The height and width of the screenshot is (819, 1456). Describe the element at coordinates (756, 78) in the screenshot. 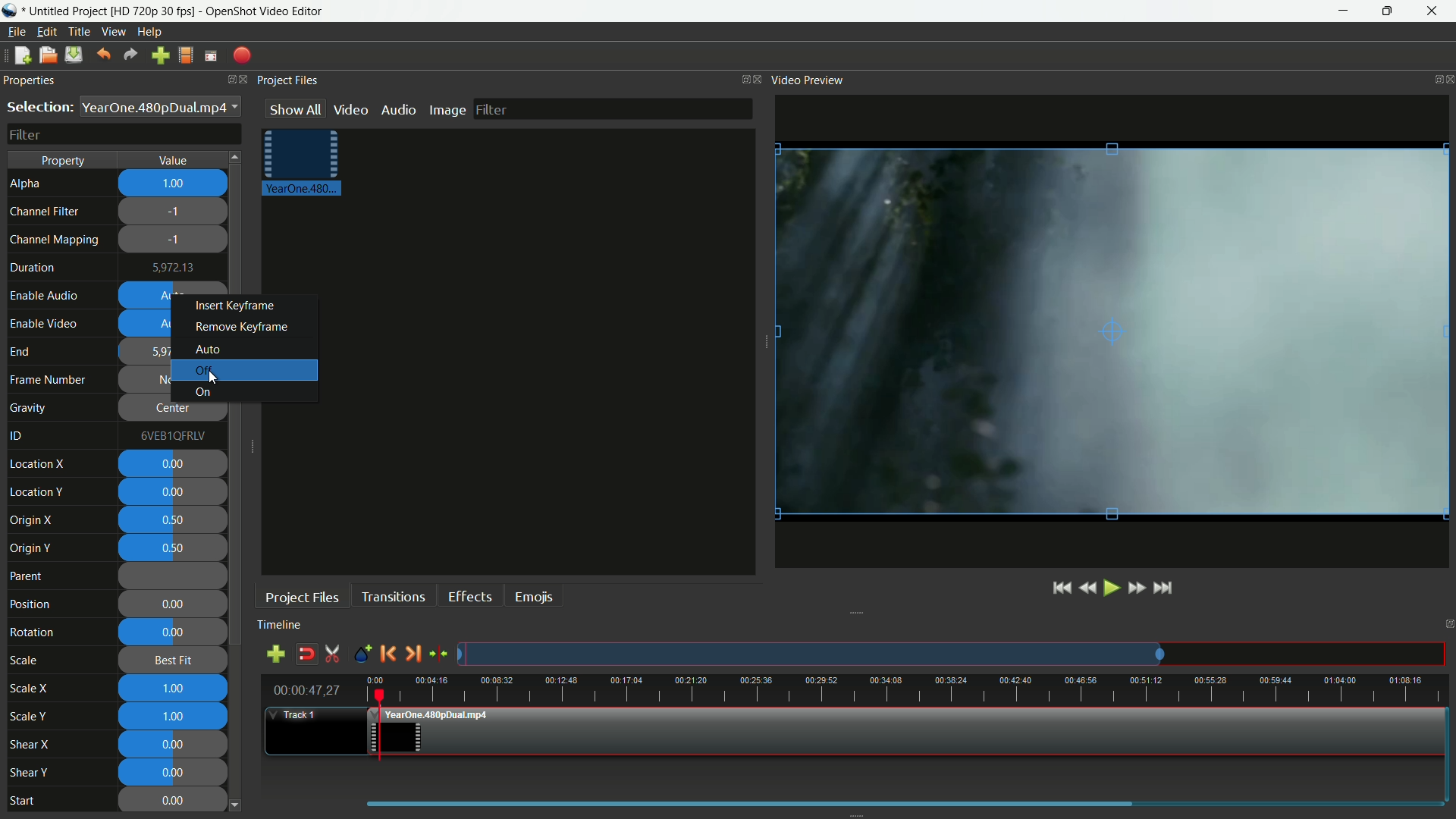

I see `close project files` at that location.